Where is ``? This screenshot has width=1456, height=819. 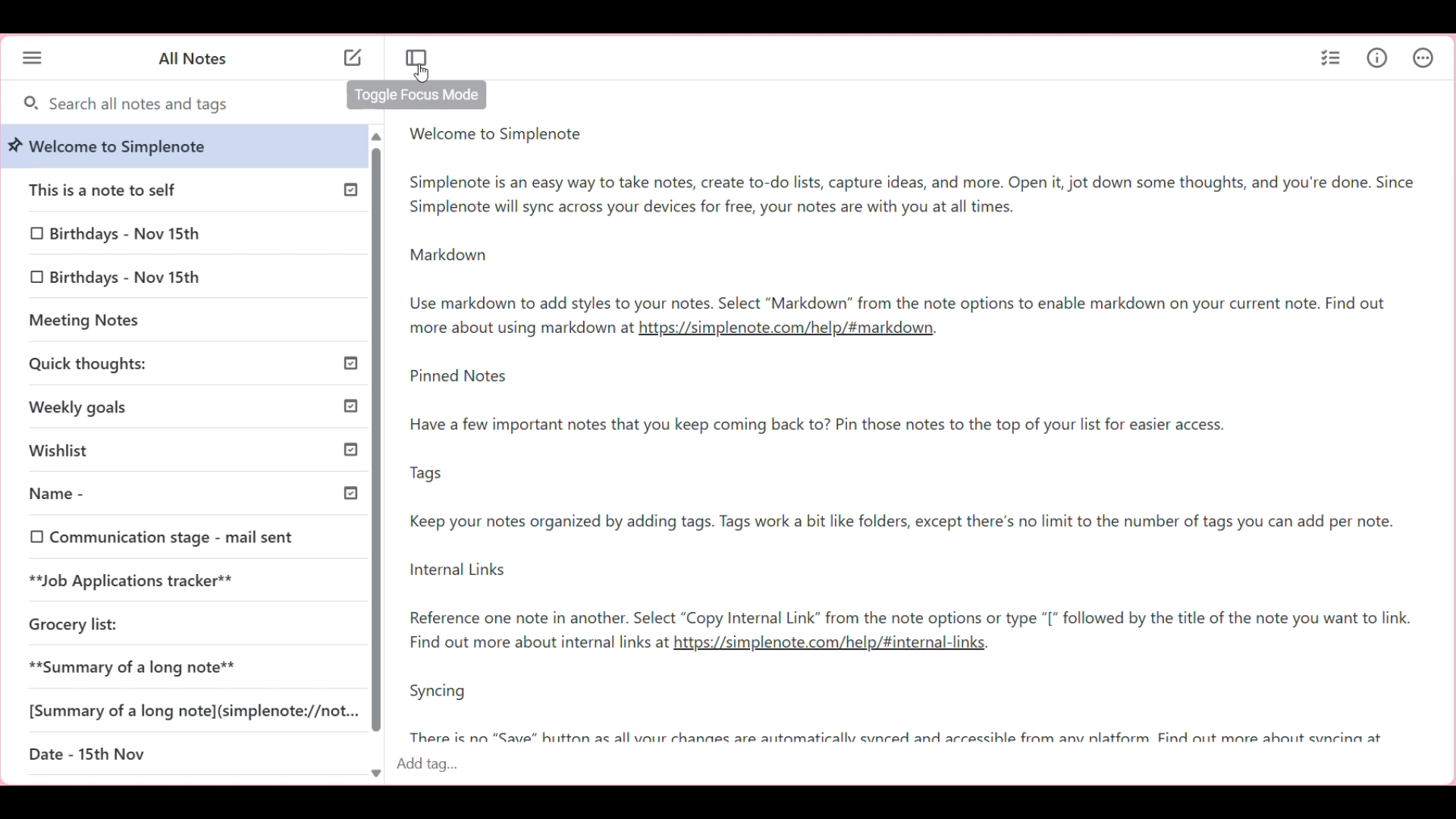
 is located at coordinates (352, 491).